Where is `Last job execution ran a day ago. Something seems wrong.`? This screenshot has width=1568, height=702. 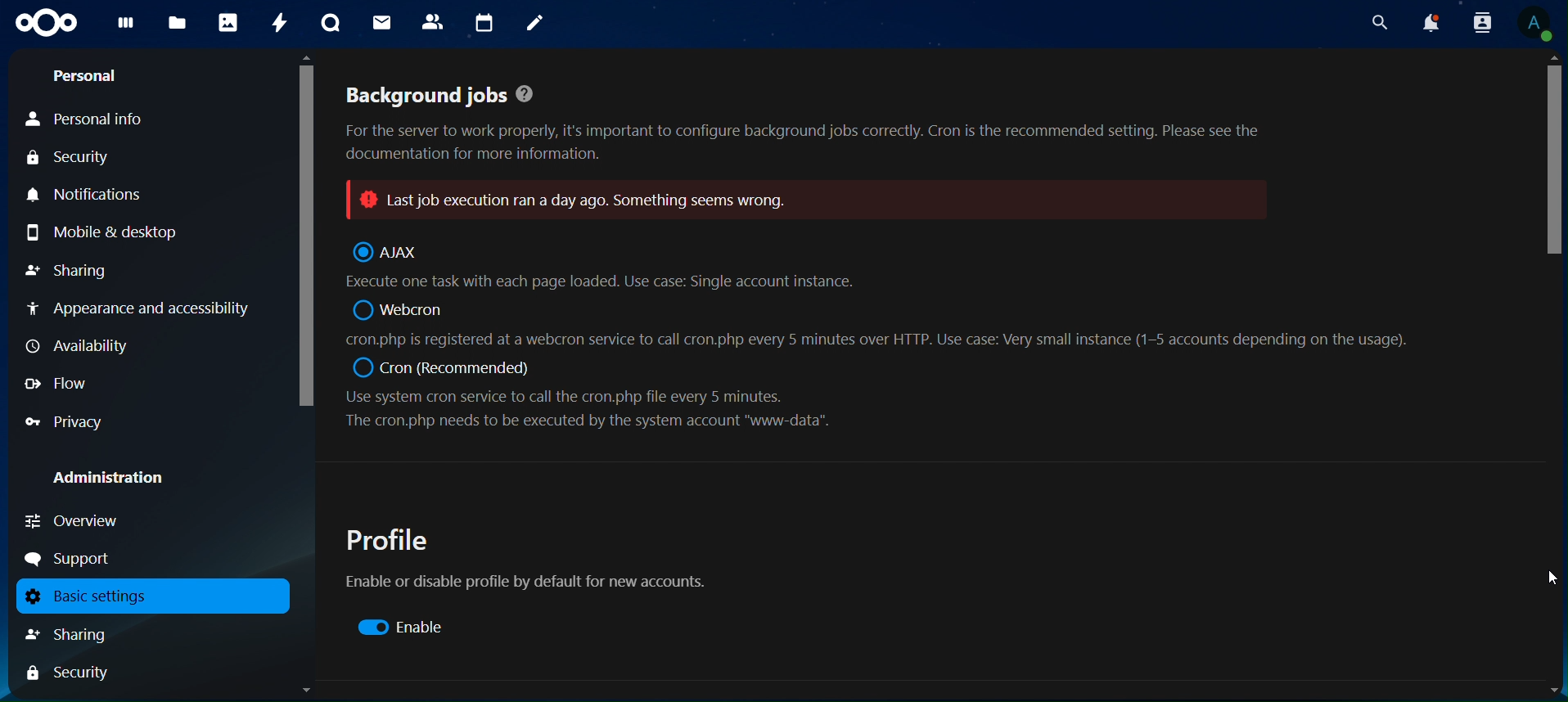 Last job execution ran a day ago. Something seems wrong. is located at coordinates (815, 199).